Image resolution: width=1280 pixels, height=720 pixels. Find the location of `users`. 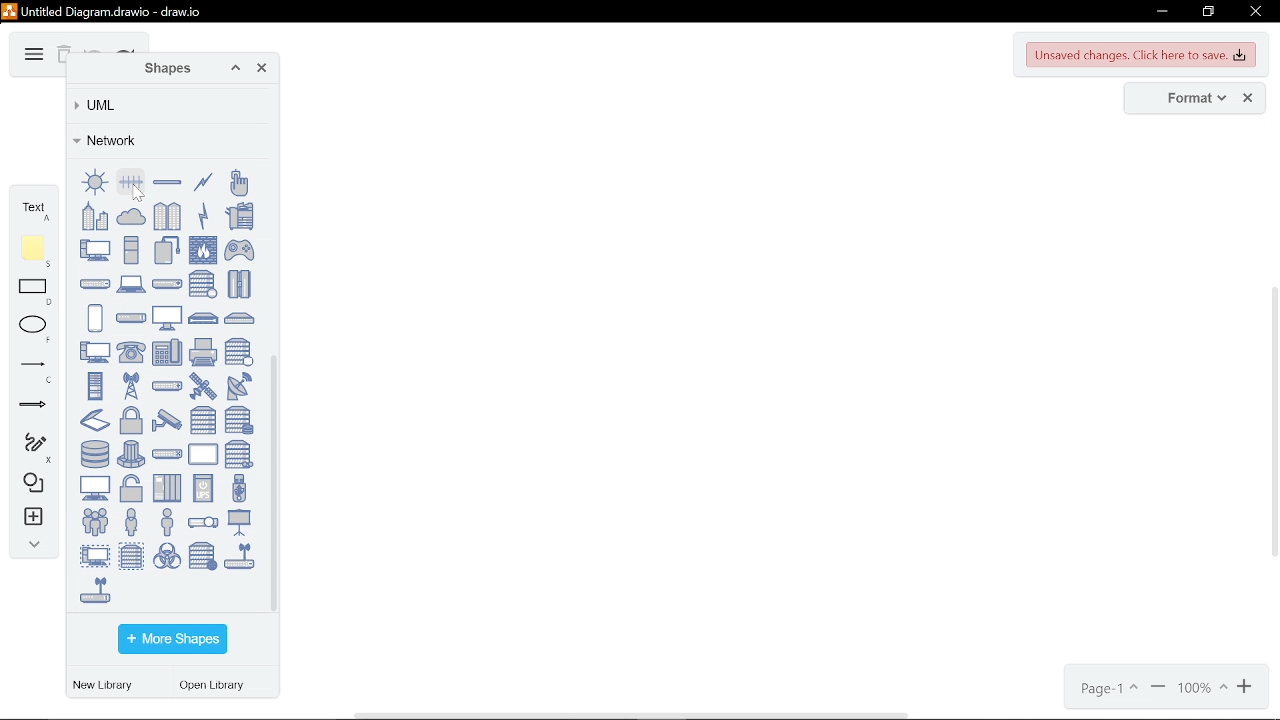

users is located at coordinates (95, 521).